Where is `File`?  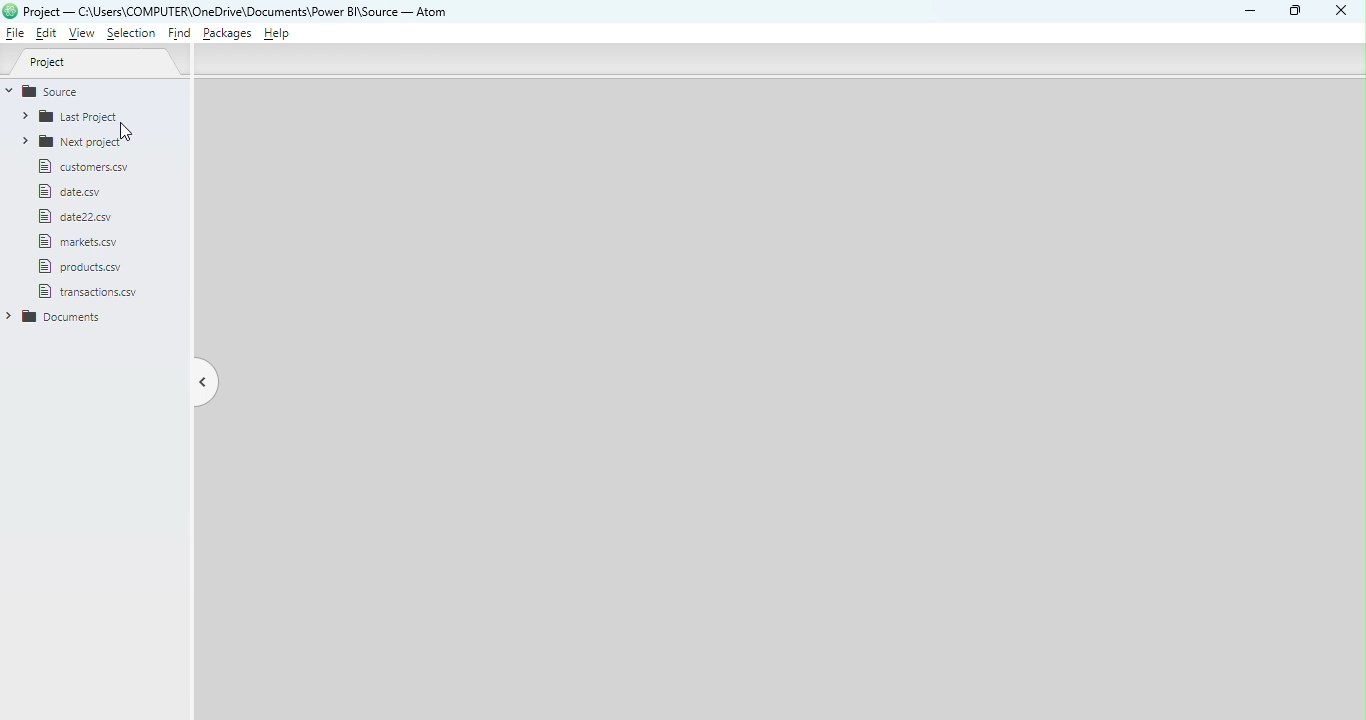
File is located at coordinates (74, 193).